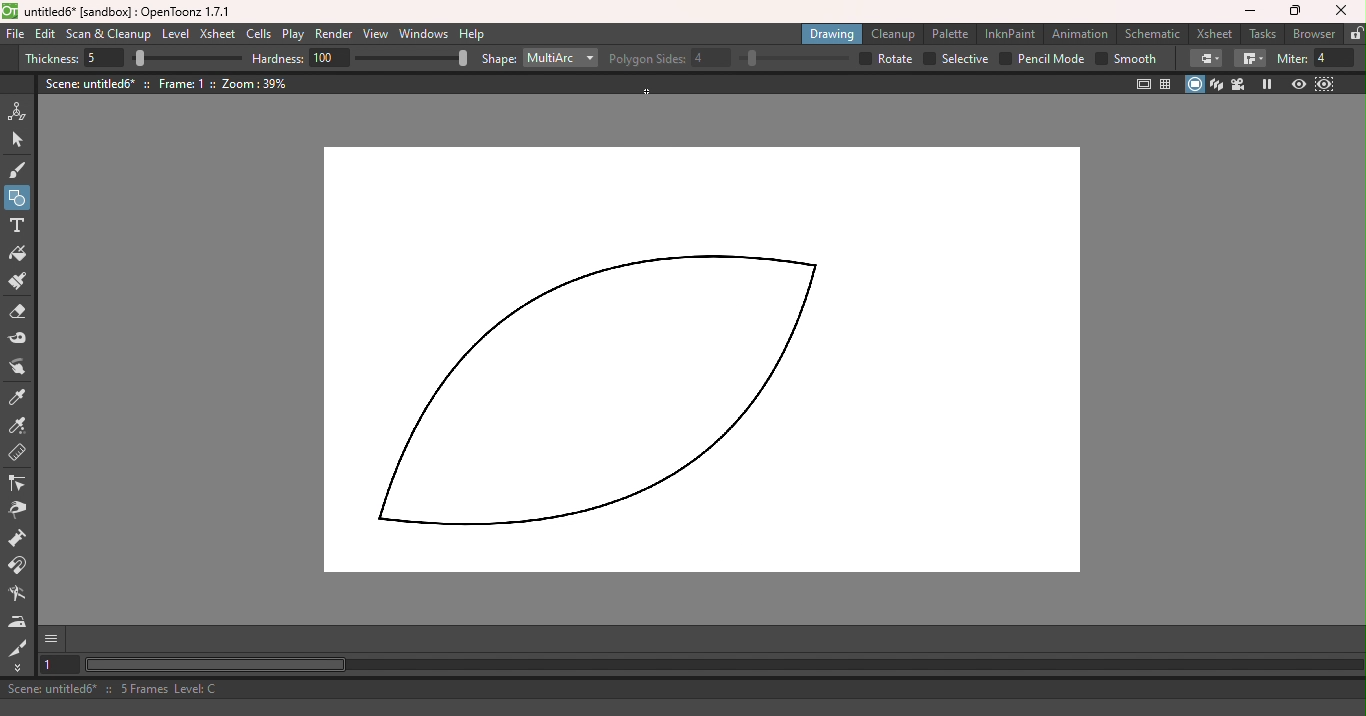 The height and width of the screenshot is (716, 1366). Describe the element at coordinates (16, 453) in the screenshot. I see `Ruler tool` at that location.